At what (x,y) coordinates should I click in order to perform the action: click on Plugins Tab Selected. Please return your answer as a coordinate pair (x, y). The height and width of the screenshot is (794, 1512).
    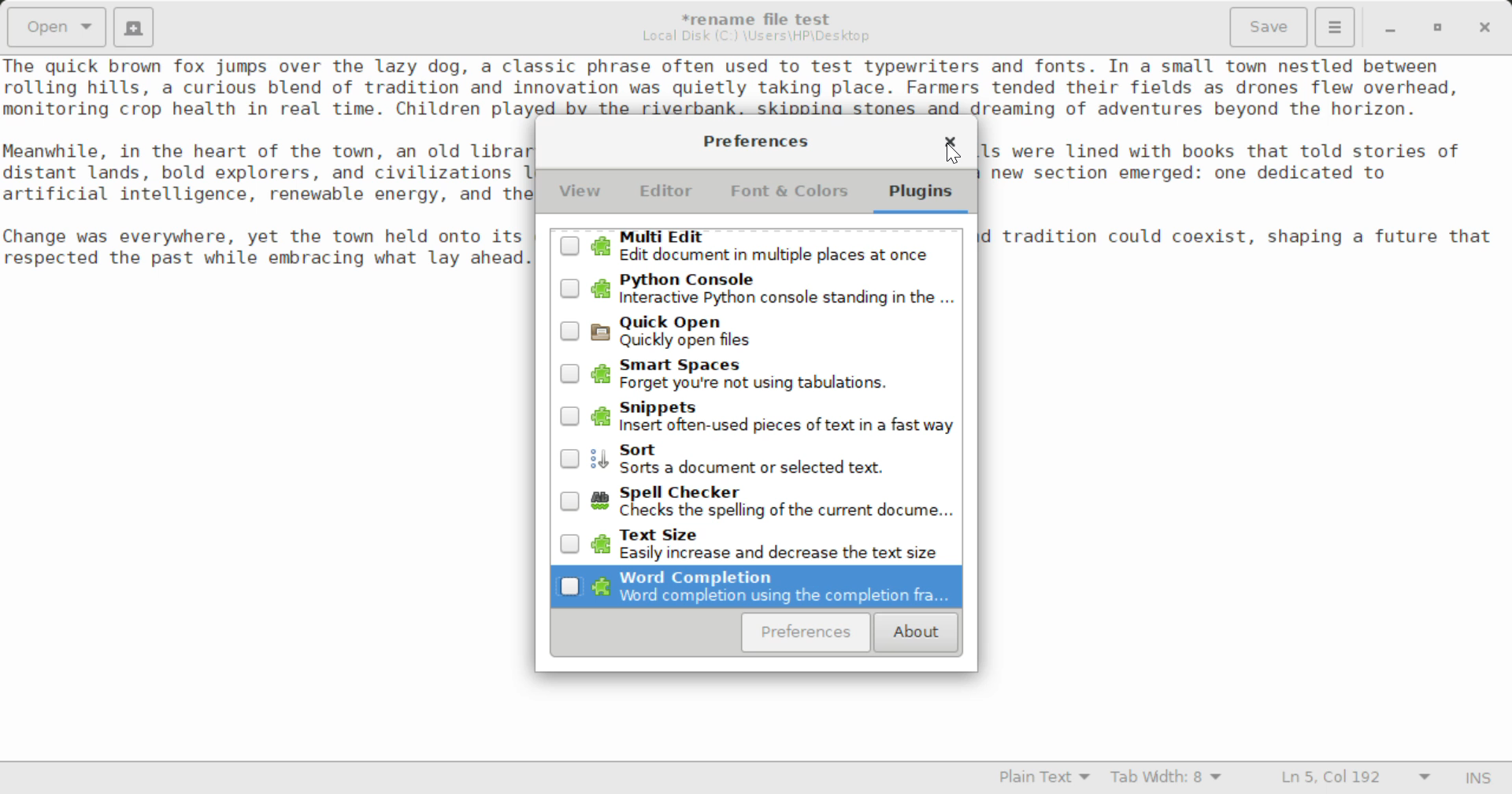
    Looking at the image, I should click on (925, 197).